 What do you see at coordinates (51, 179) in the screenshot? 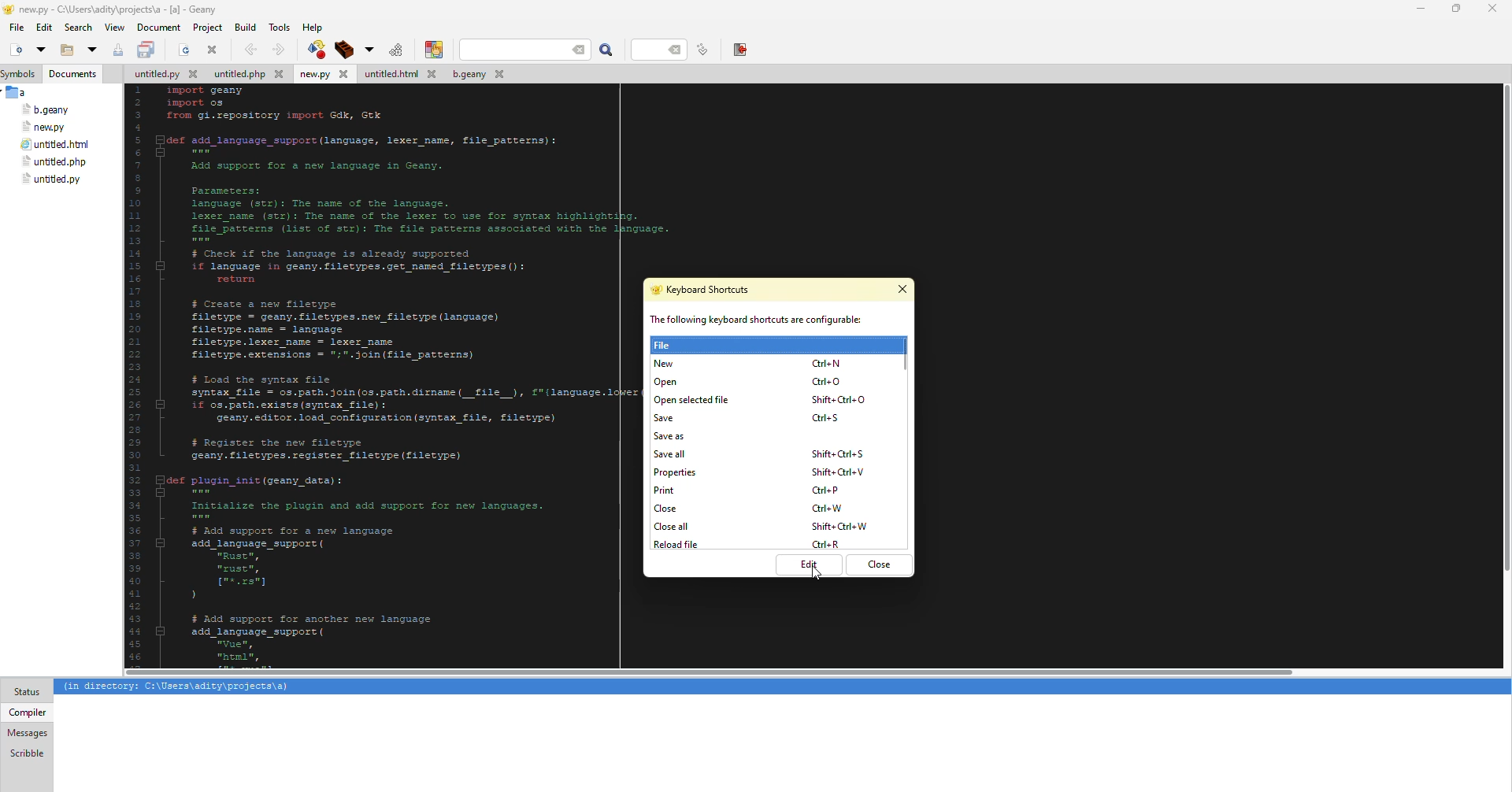
I see `file` at bounding box center [51, 179].